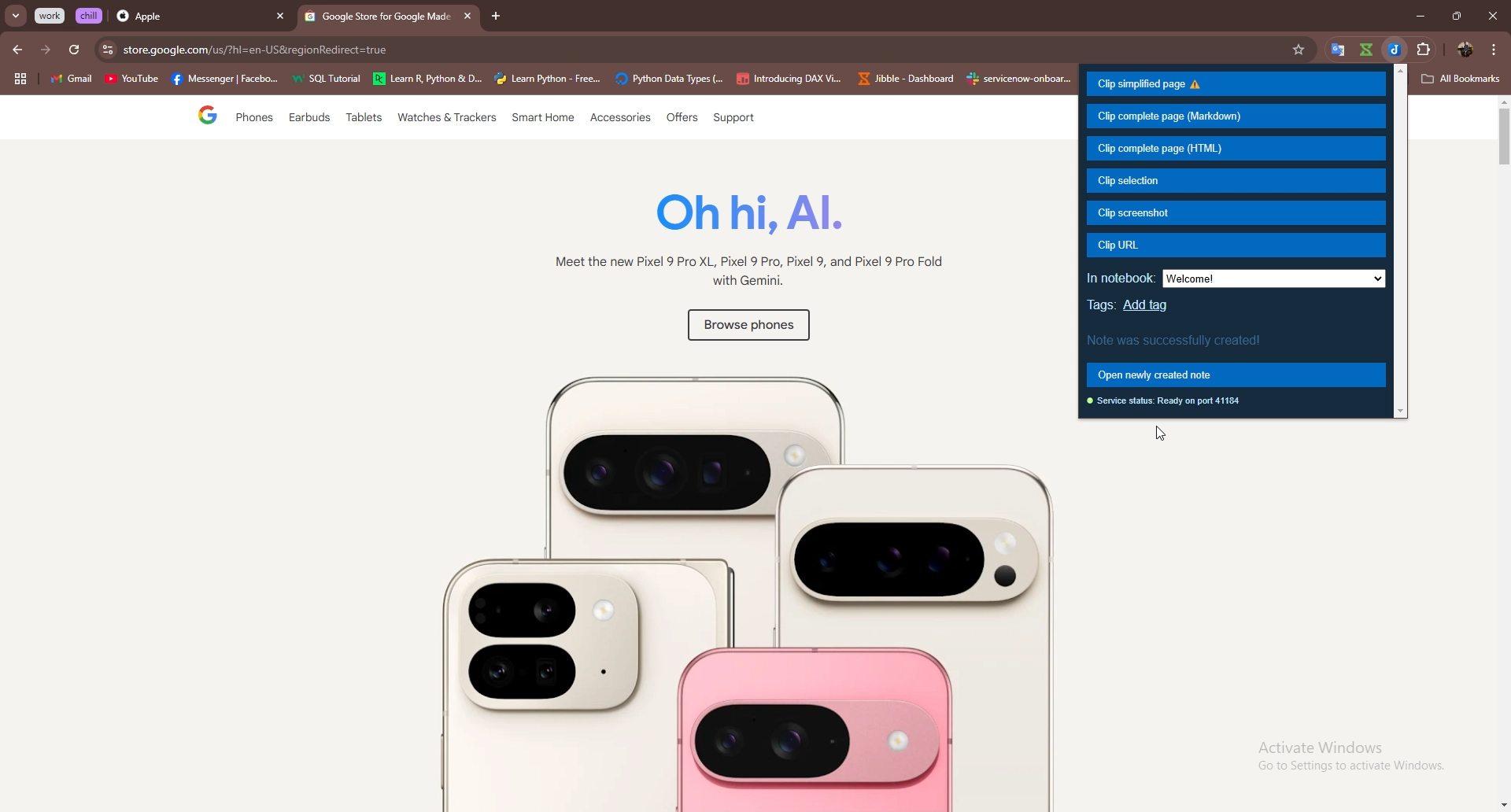 This screenshot has height=812, width=1511. Describe the element at coordinates (1492, 16) in the screenshot. I see `close` at that location.